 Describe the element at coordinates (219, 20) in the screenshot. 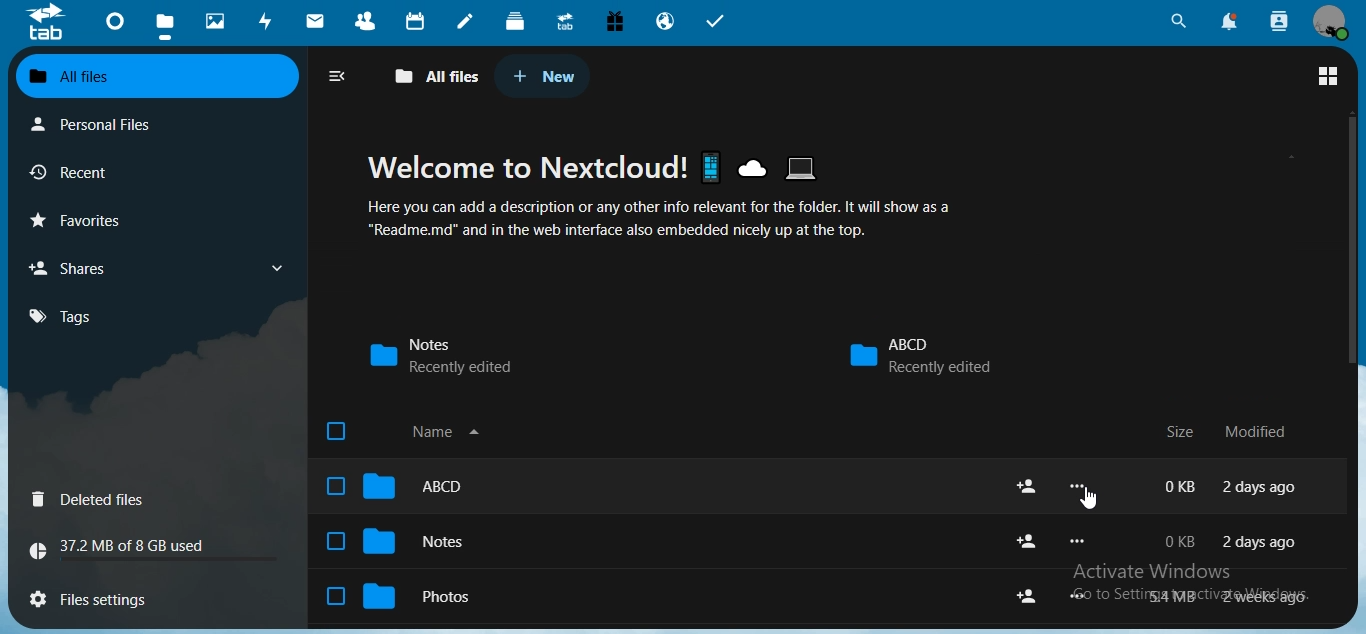

I see `photos` at that location.